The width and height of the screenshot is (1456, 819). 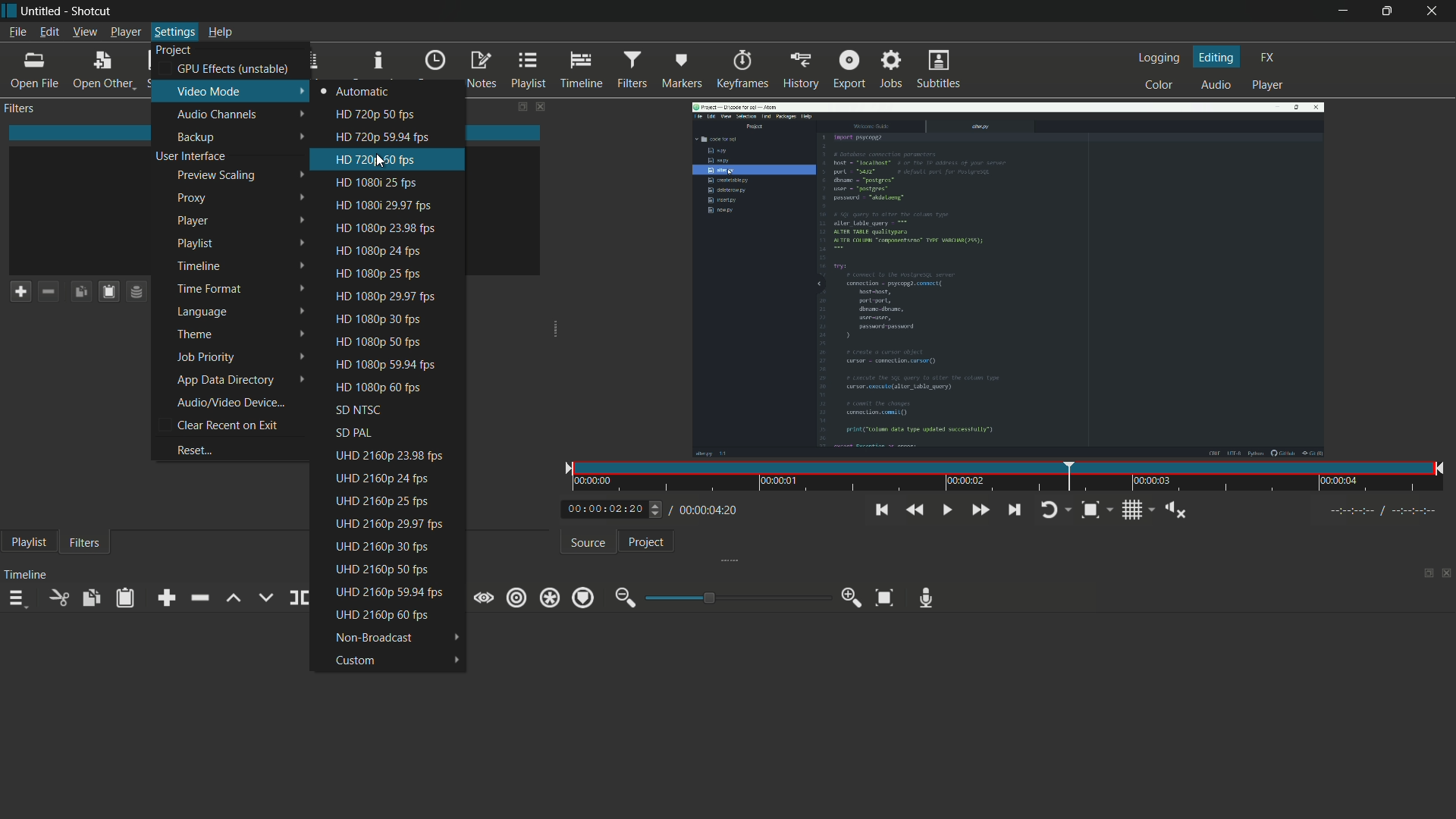 I want to click on language, so click(x=242, y=312).